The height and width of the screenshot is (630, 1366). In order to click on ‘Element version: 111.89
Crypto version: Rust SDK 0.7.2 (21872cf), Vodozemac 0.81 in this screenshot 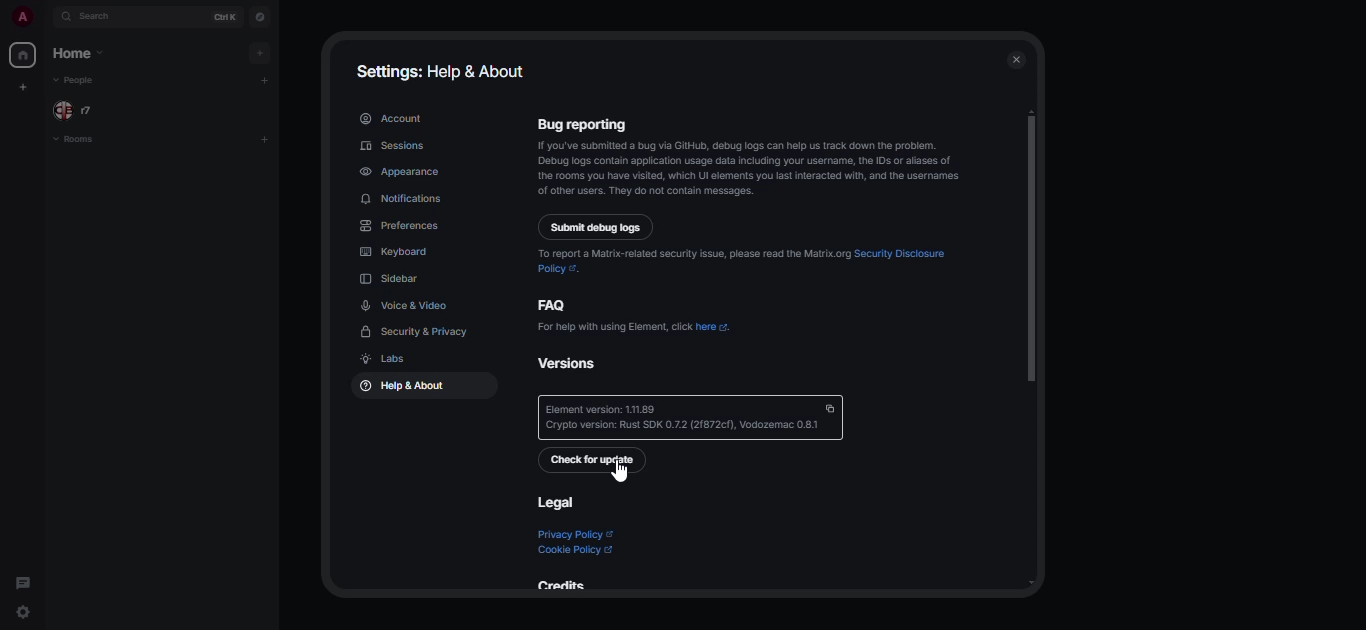, I will do `click(681, 417)`.